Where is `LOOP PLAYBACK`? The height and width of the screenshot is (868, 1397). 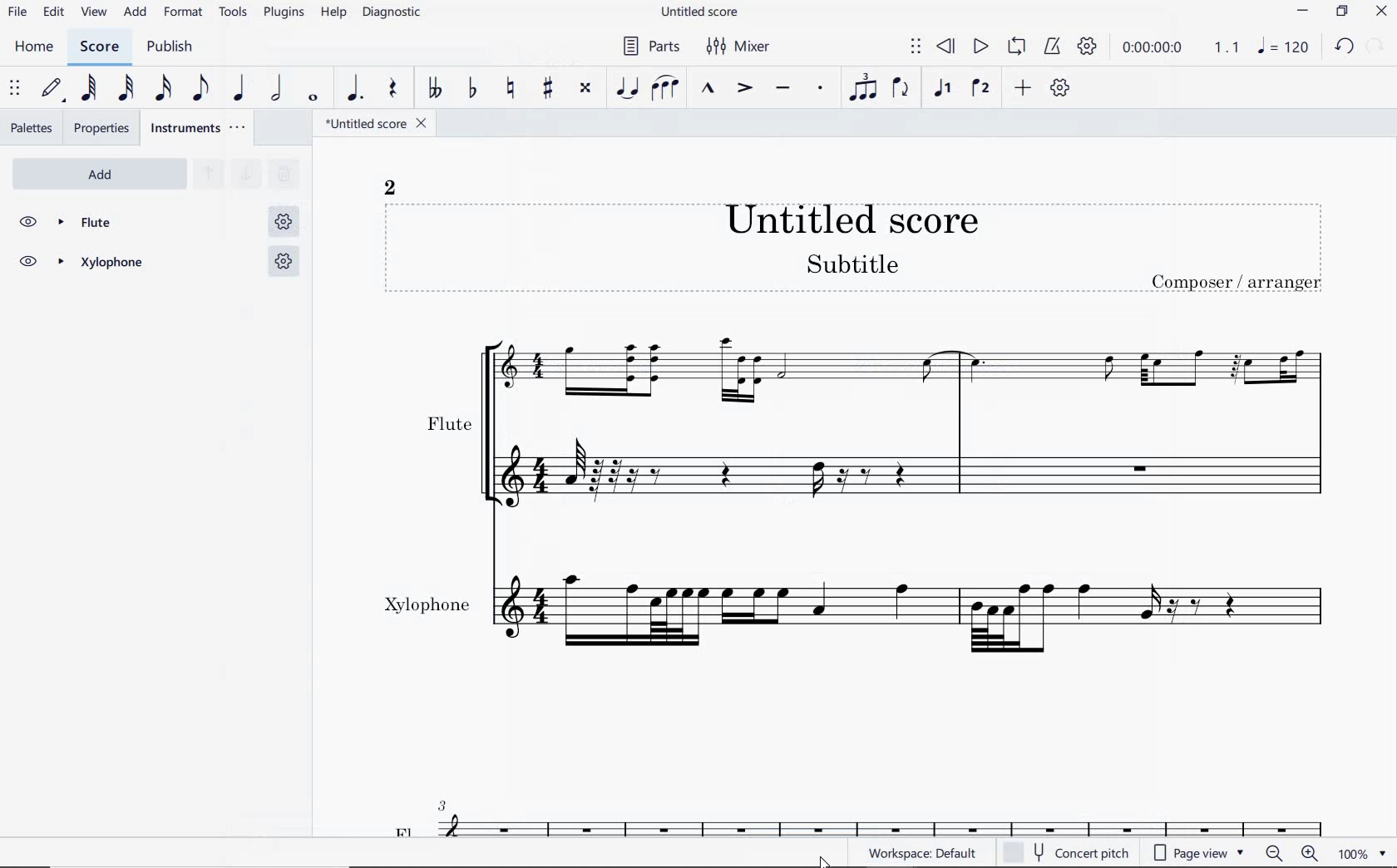 LOOP PLAYBACK is located at coordinates (1014, 47).